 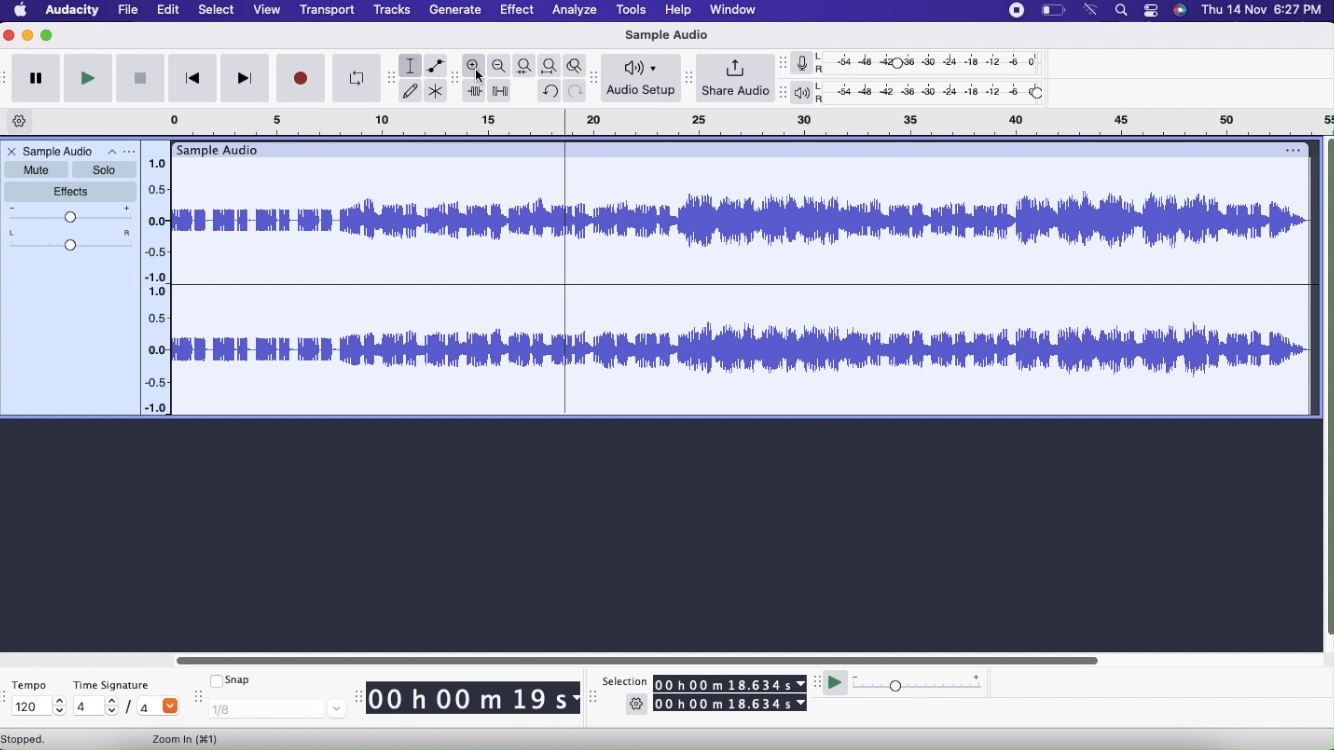 What do you see at coordinates (574, 66) in the screenshot?
I see `Zoom Toggle` at bounding box center [574, 66].